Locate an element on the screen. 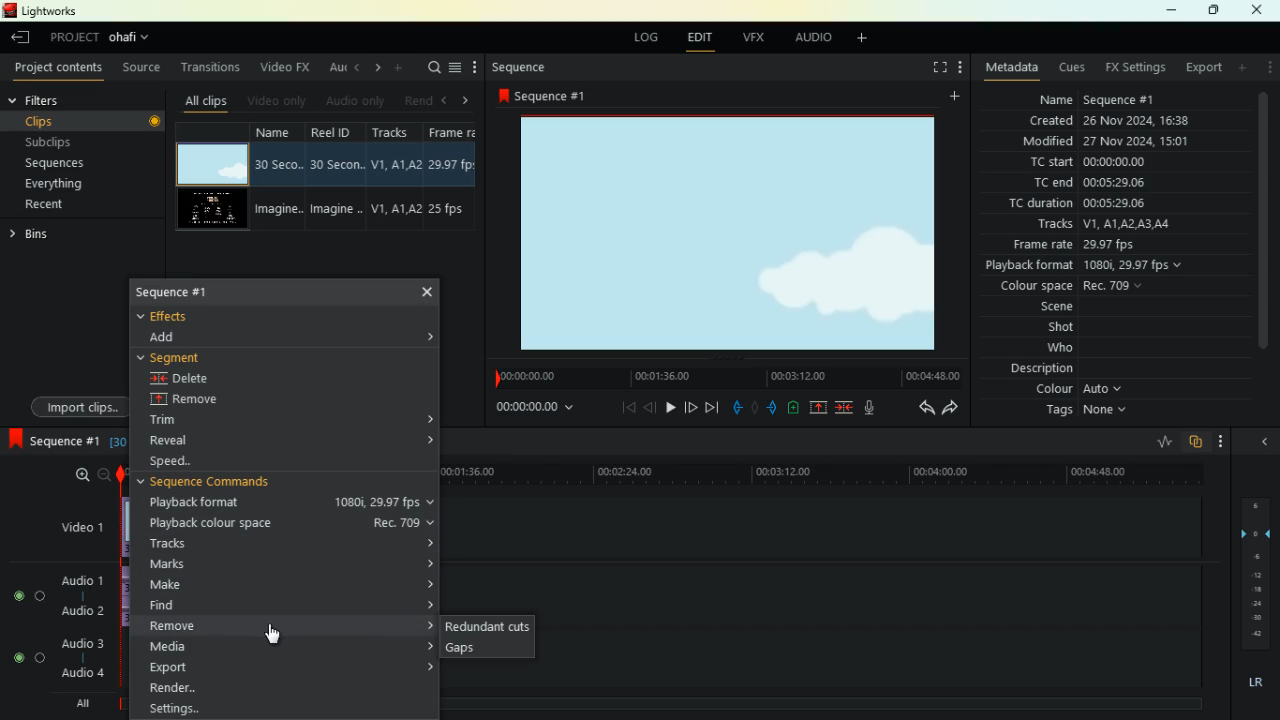 The height and width of the screenshot is (720, 1280). add is located at coordinates (1241, 71).